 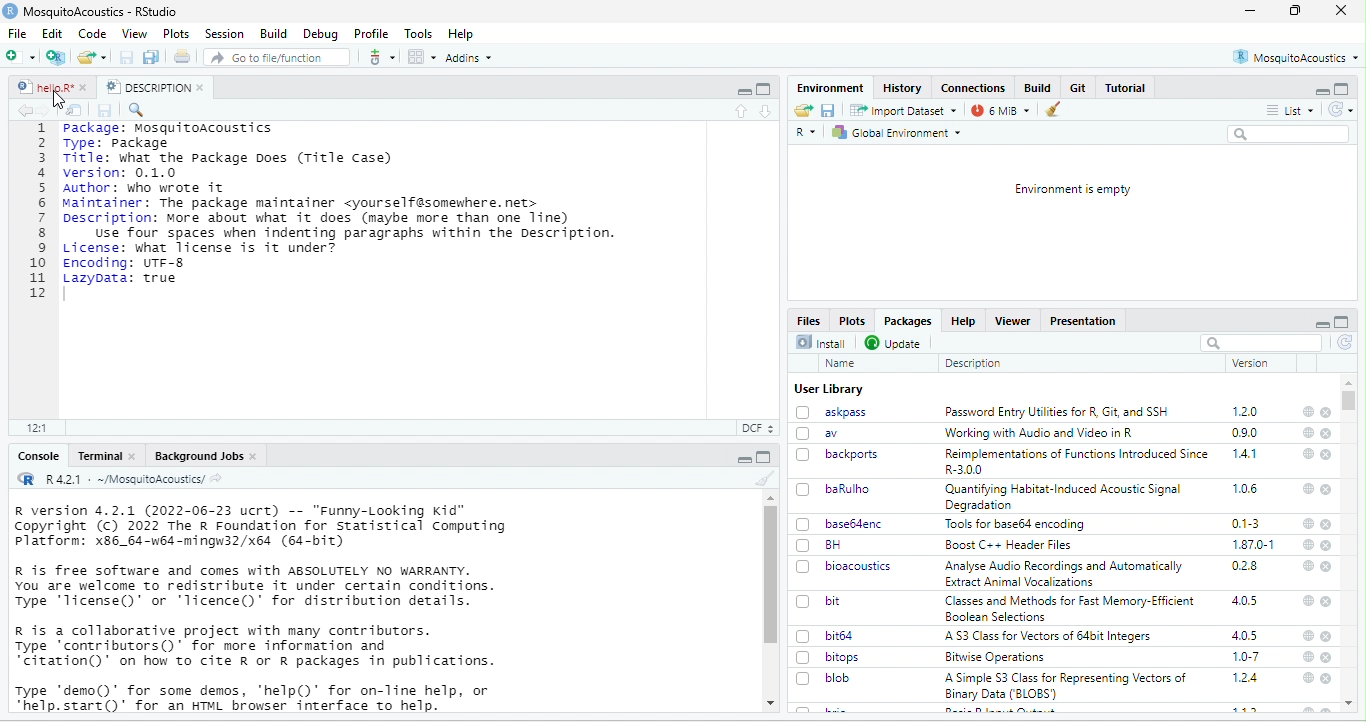 I want to click on more options, so click(x=381, y=56).